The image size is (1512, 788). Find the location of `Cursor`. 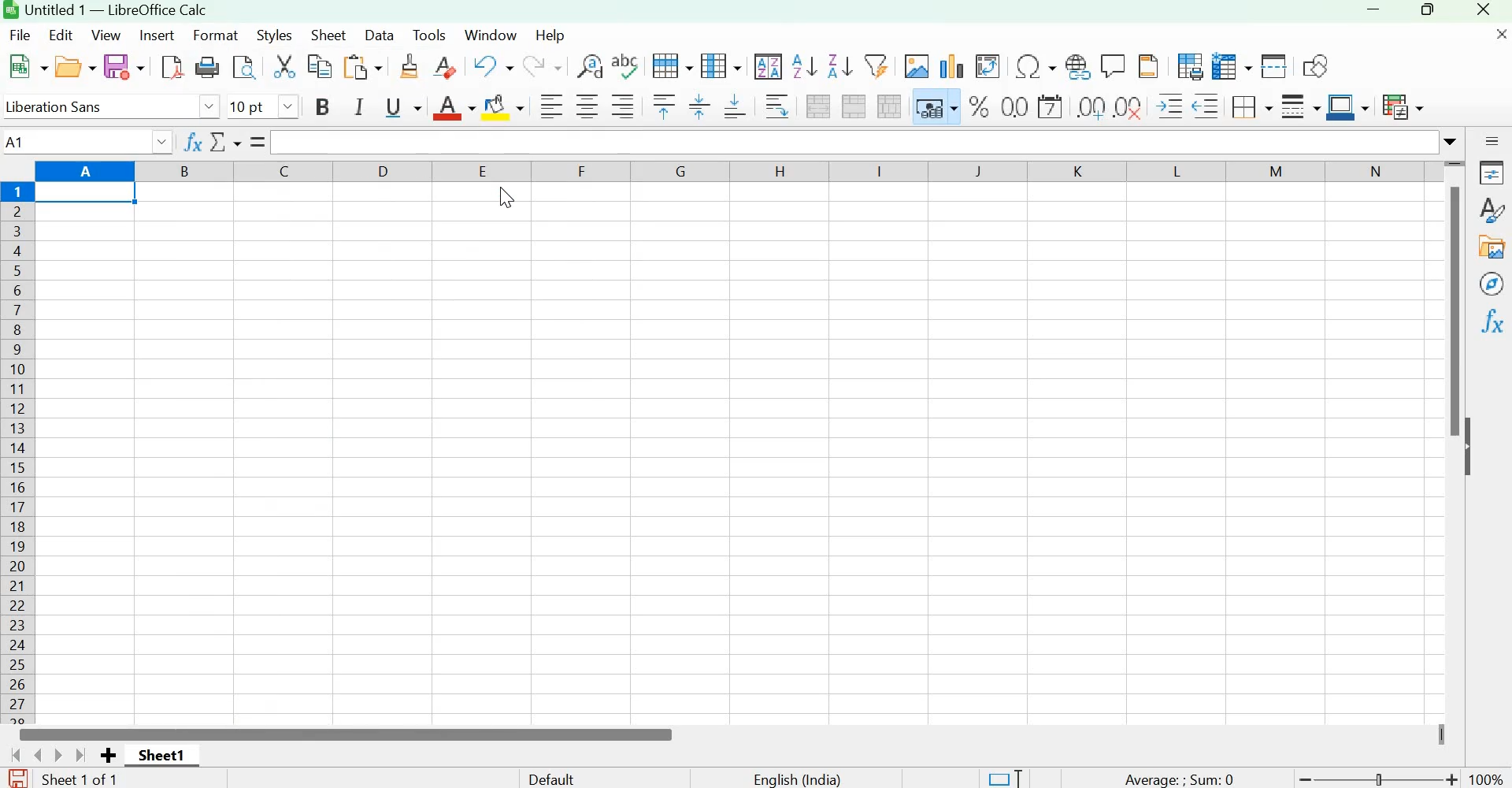

Cursor is located at coordinates (509, 206).